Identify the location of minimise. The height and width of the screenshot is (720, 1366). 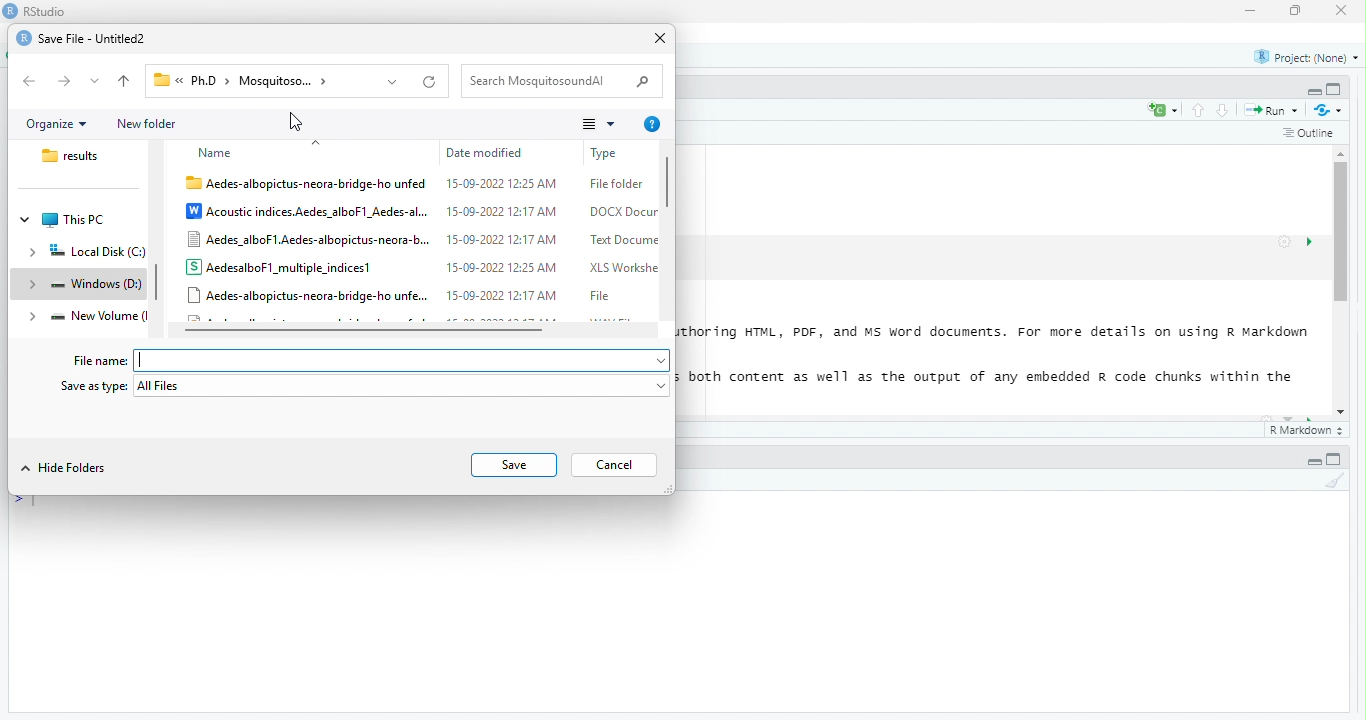
(1253, 10).